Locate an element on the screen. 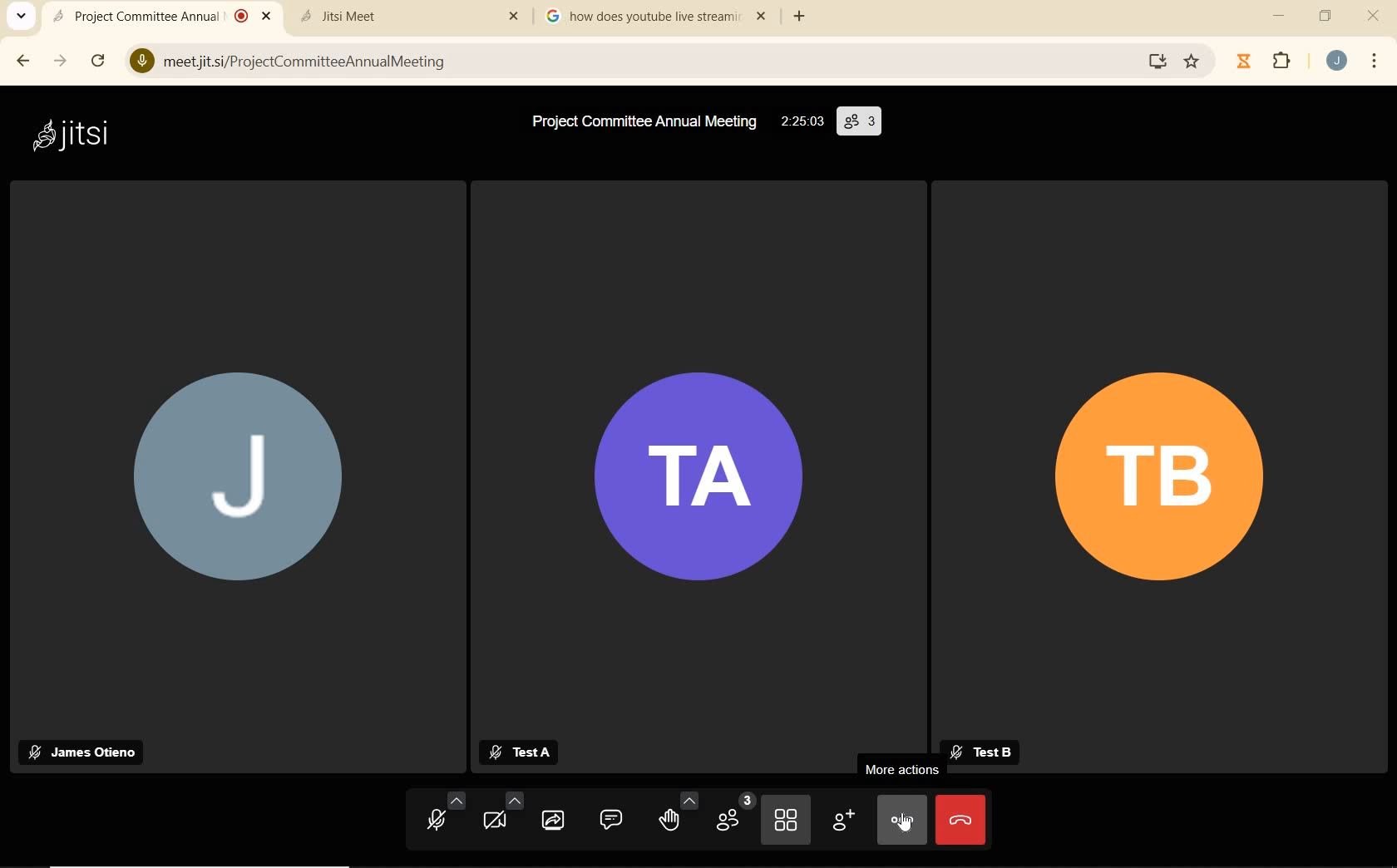  timer is located at coordinates (1244, 61).